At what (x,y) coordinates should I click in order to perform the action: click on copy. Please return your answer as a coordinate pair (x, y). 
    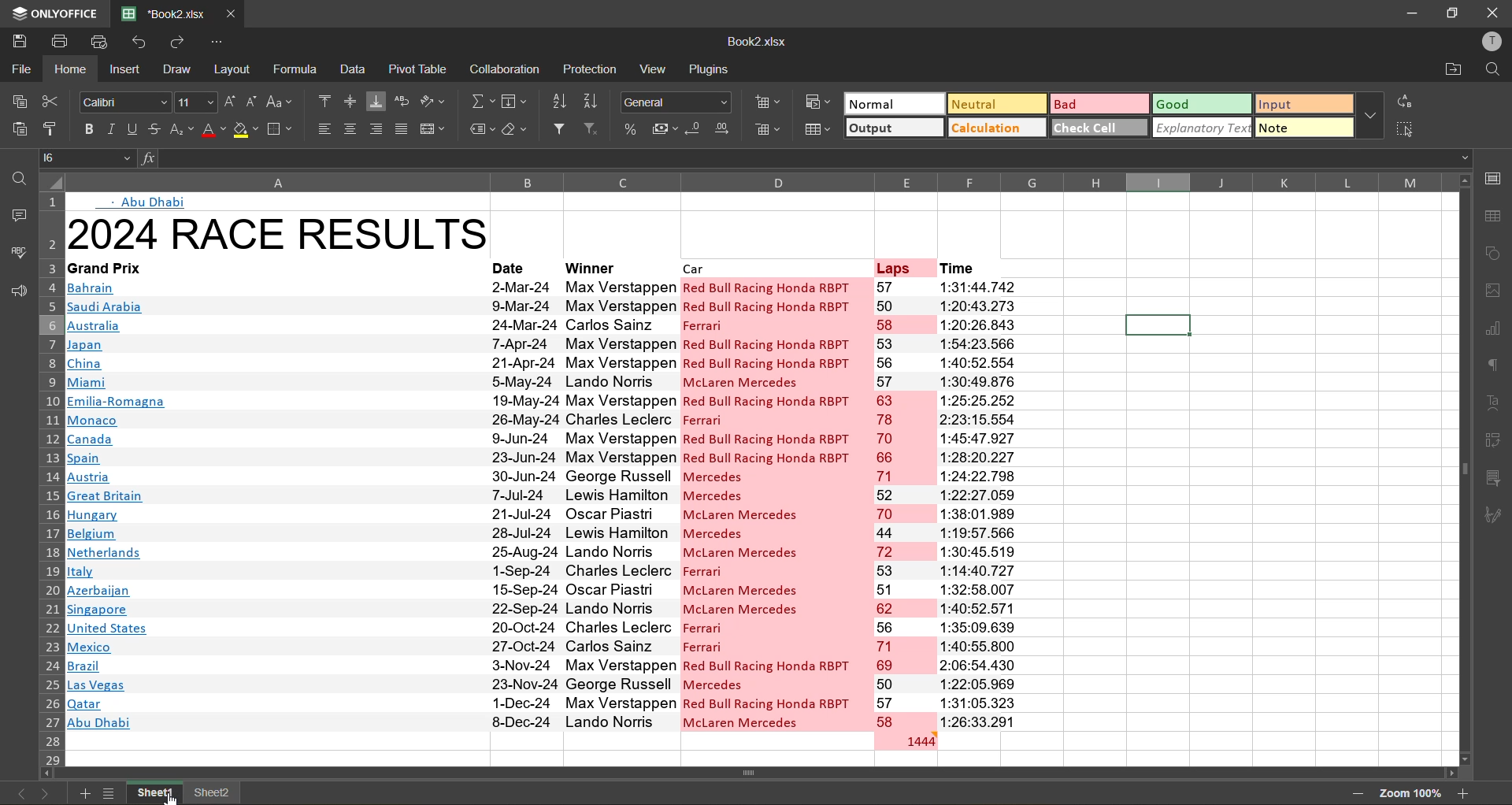
    Looking at the image, I should click on (23, 102).